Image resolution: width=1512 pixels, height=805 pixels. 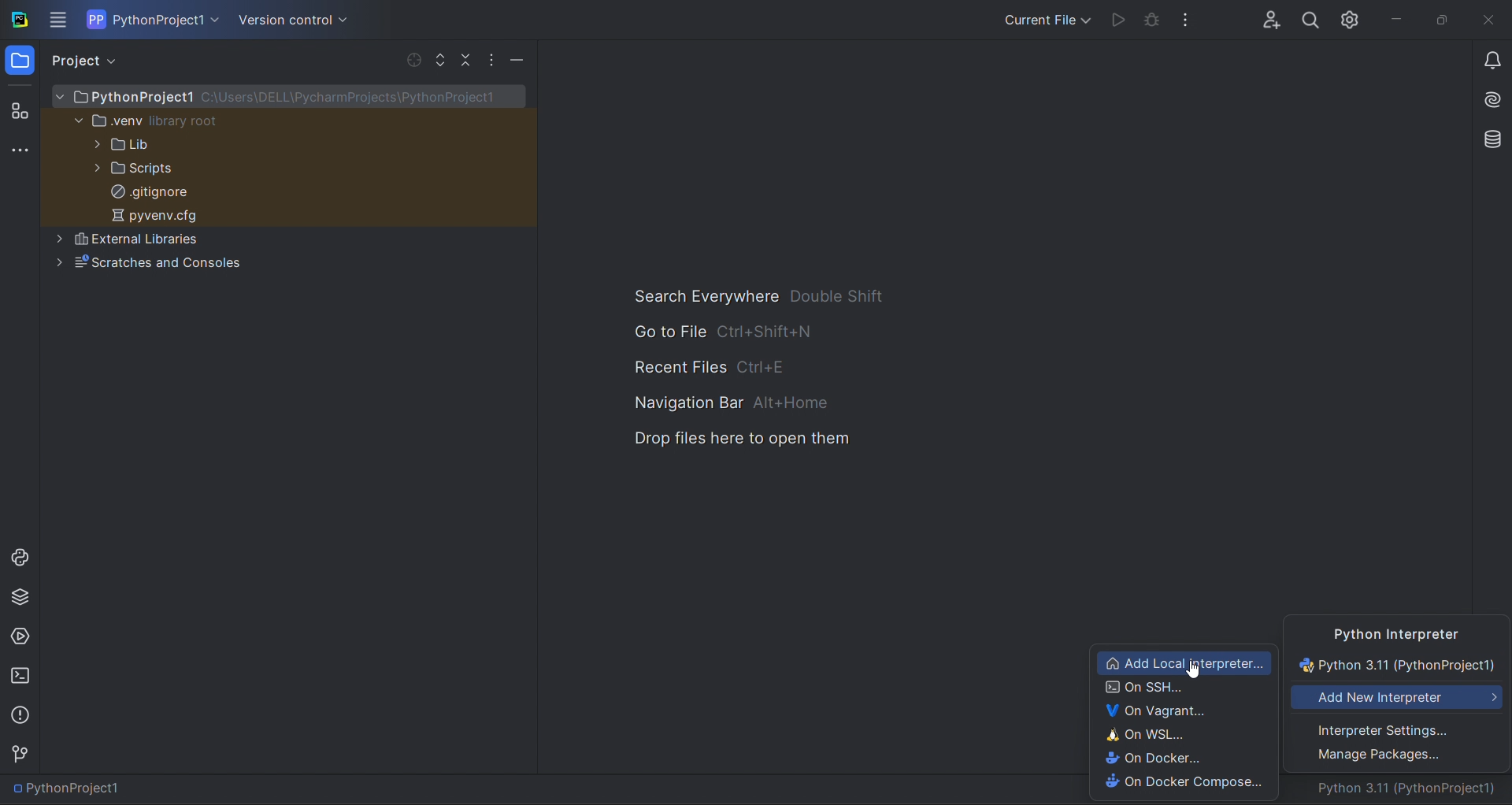 I want to click on services, so click(x=20, y=638).